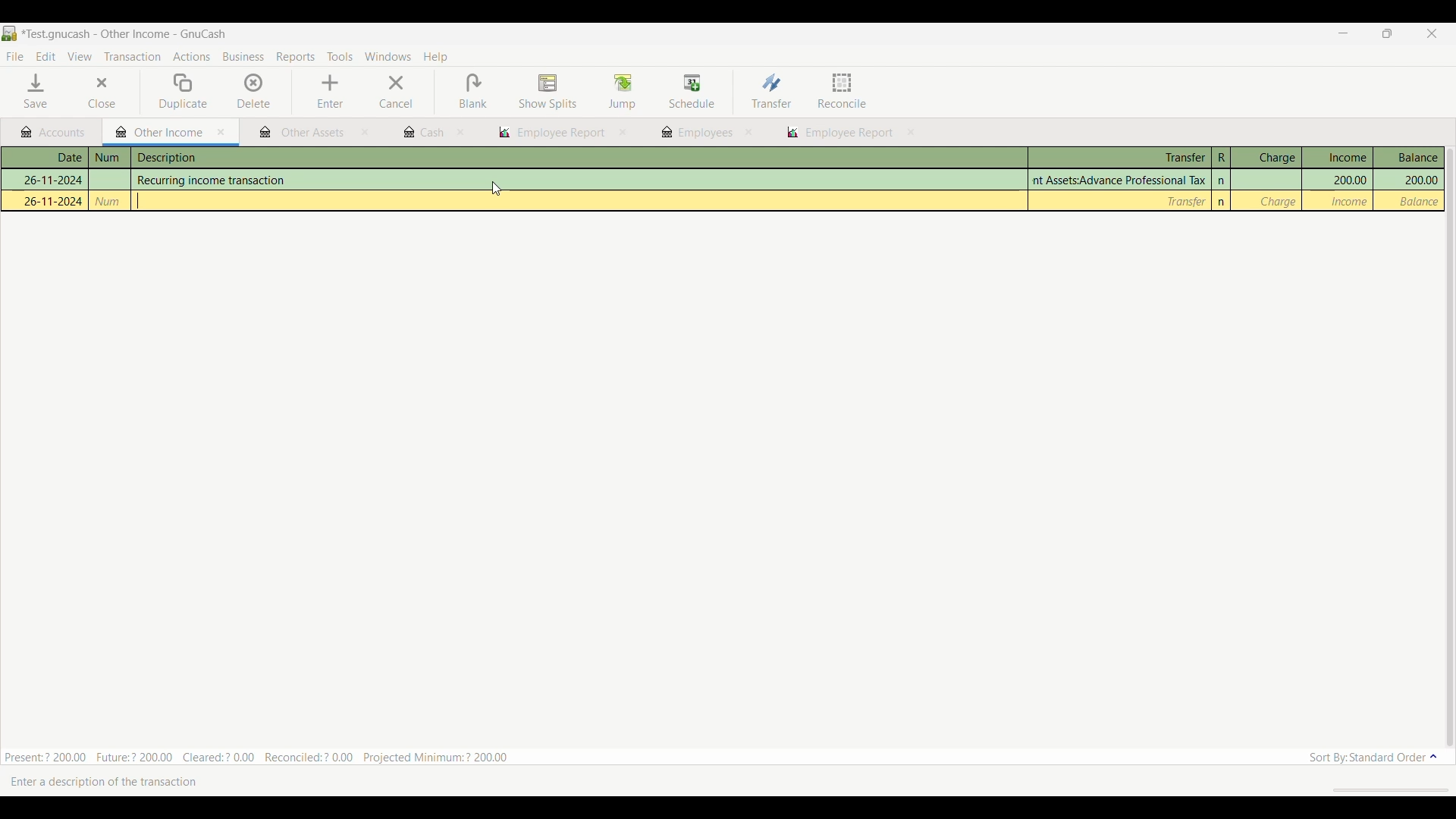 This screenshot has width=1456, height=819. Describe the element at coordinates (1393, 35) in the screenshot. I see `Show interface in a smaller tab` at that location.